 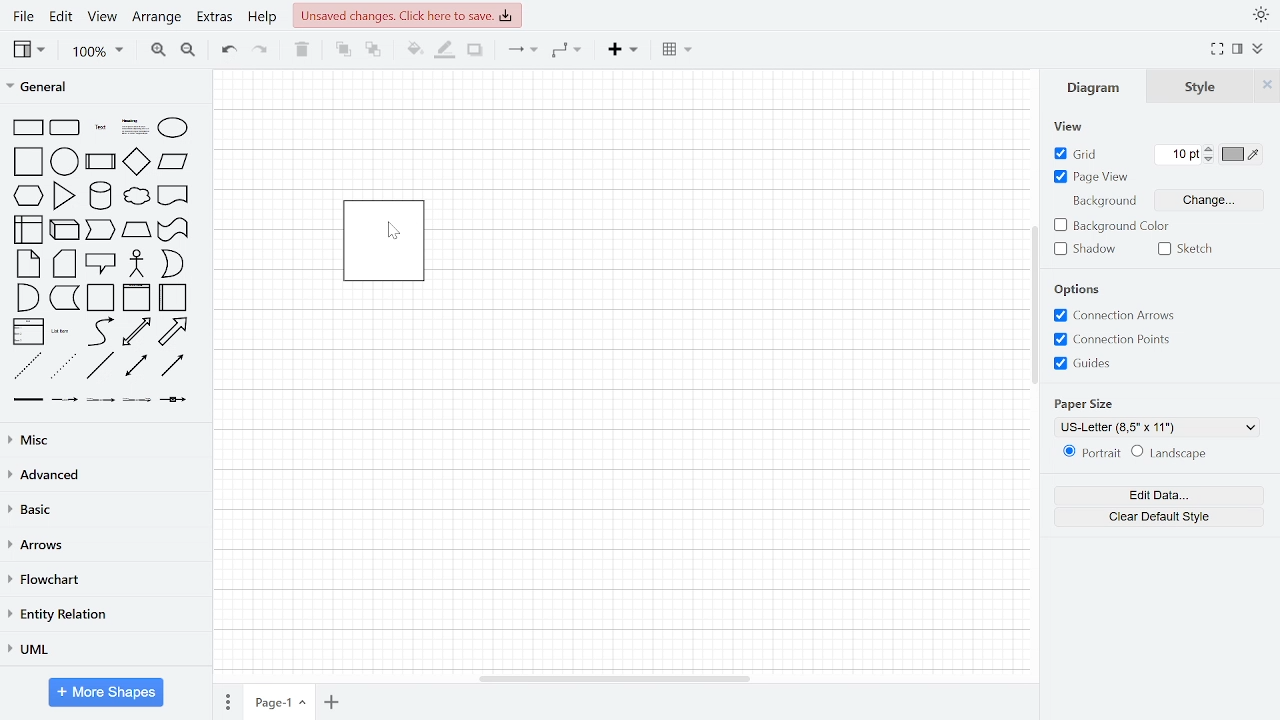 I want to click on vertical container, so click(x=136, y=297).